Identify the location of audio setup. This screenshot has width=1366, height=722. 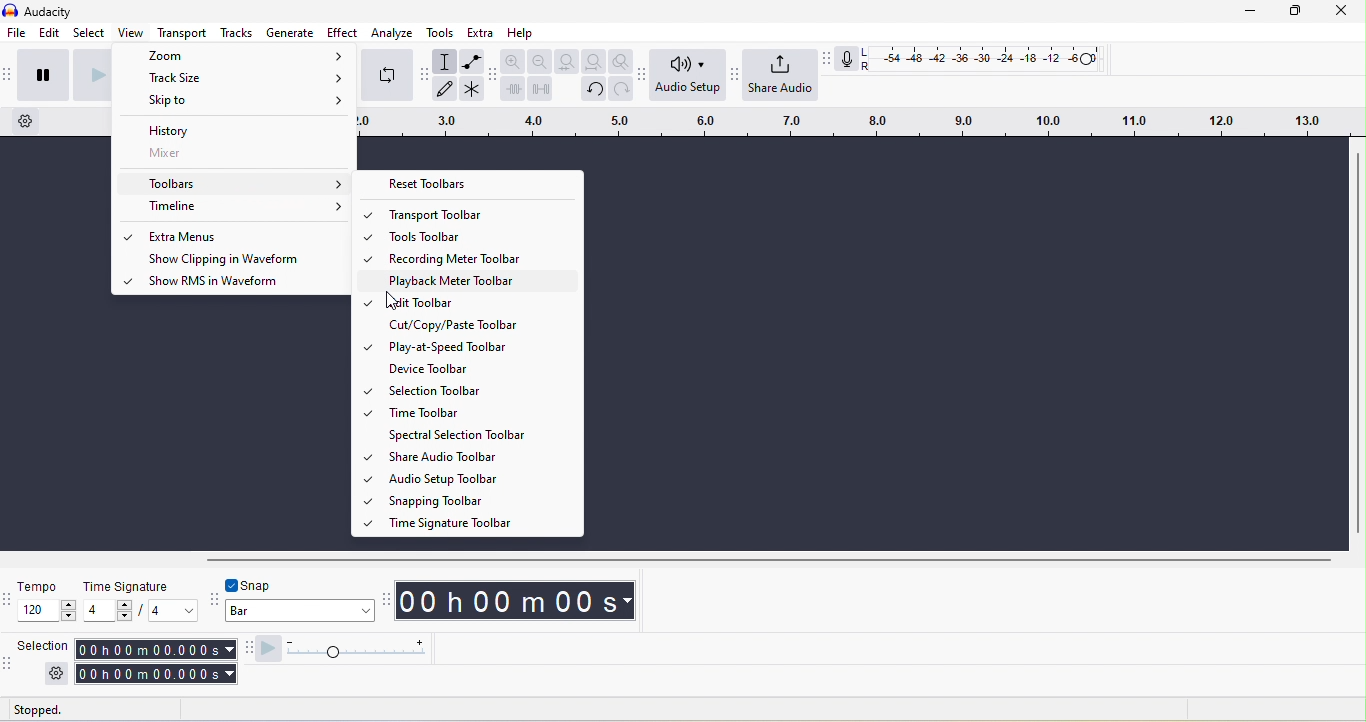
(688, 74).